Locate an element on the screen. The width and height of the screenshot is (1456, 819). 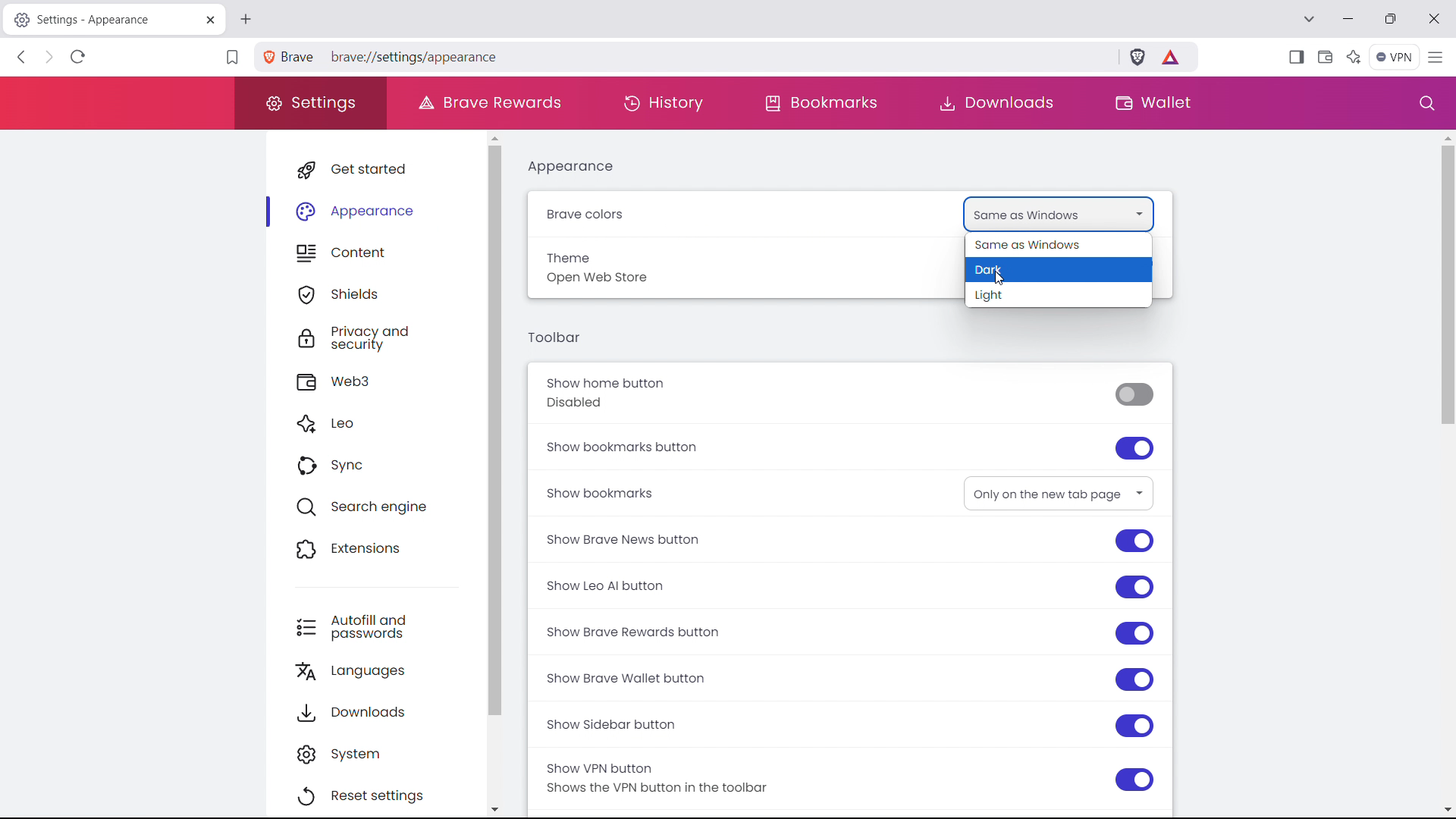
show sidebar is located at coordinates (1296, 56).